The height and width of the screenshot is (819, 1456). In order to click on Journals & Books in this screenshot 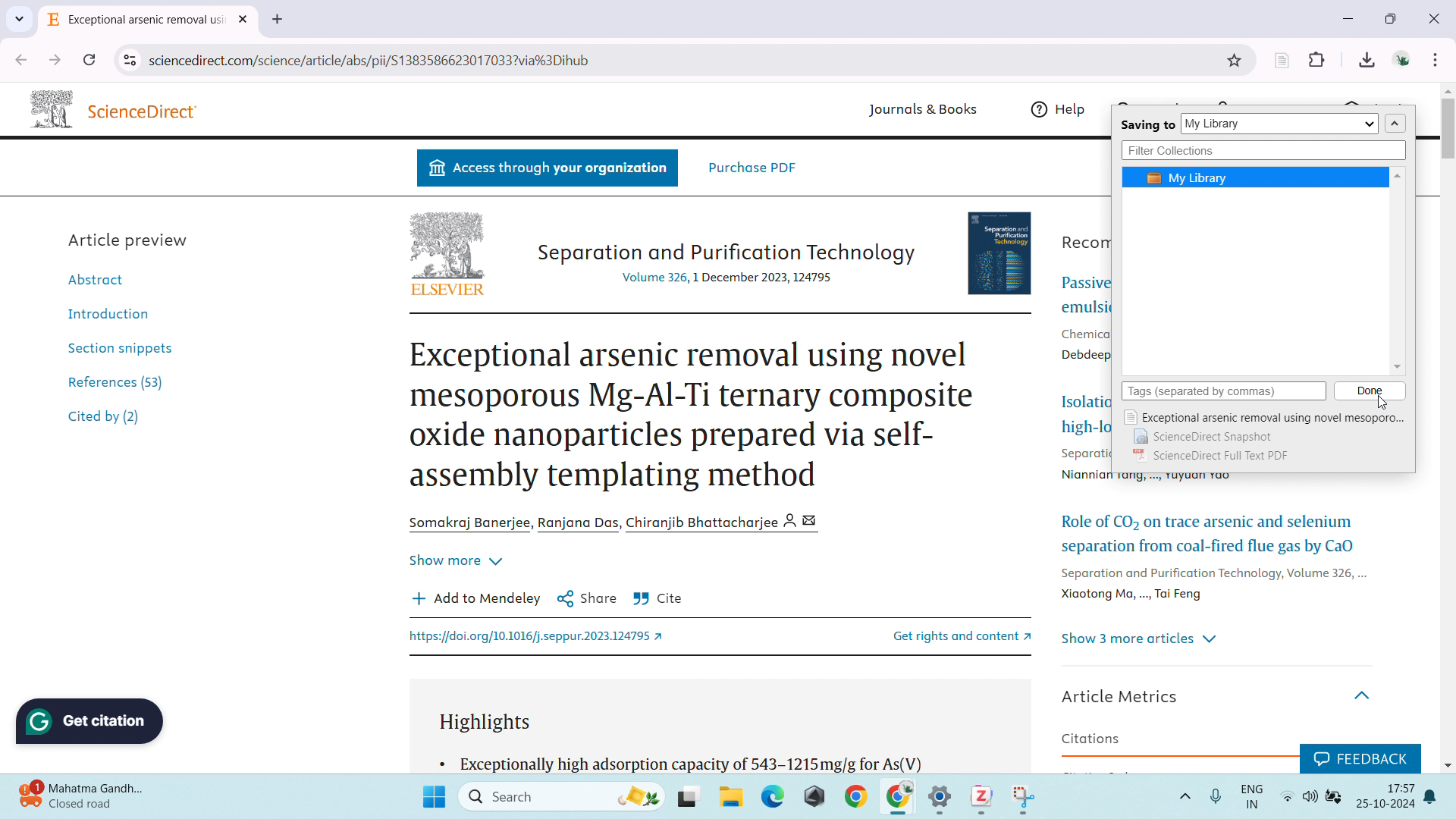, I will do `click(919, 111)`.